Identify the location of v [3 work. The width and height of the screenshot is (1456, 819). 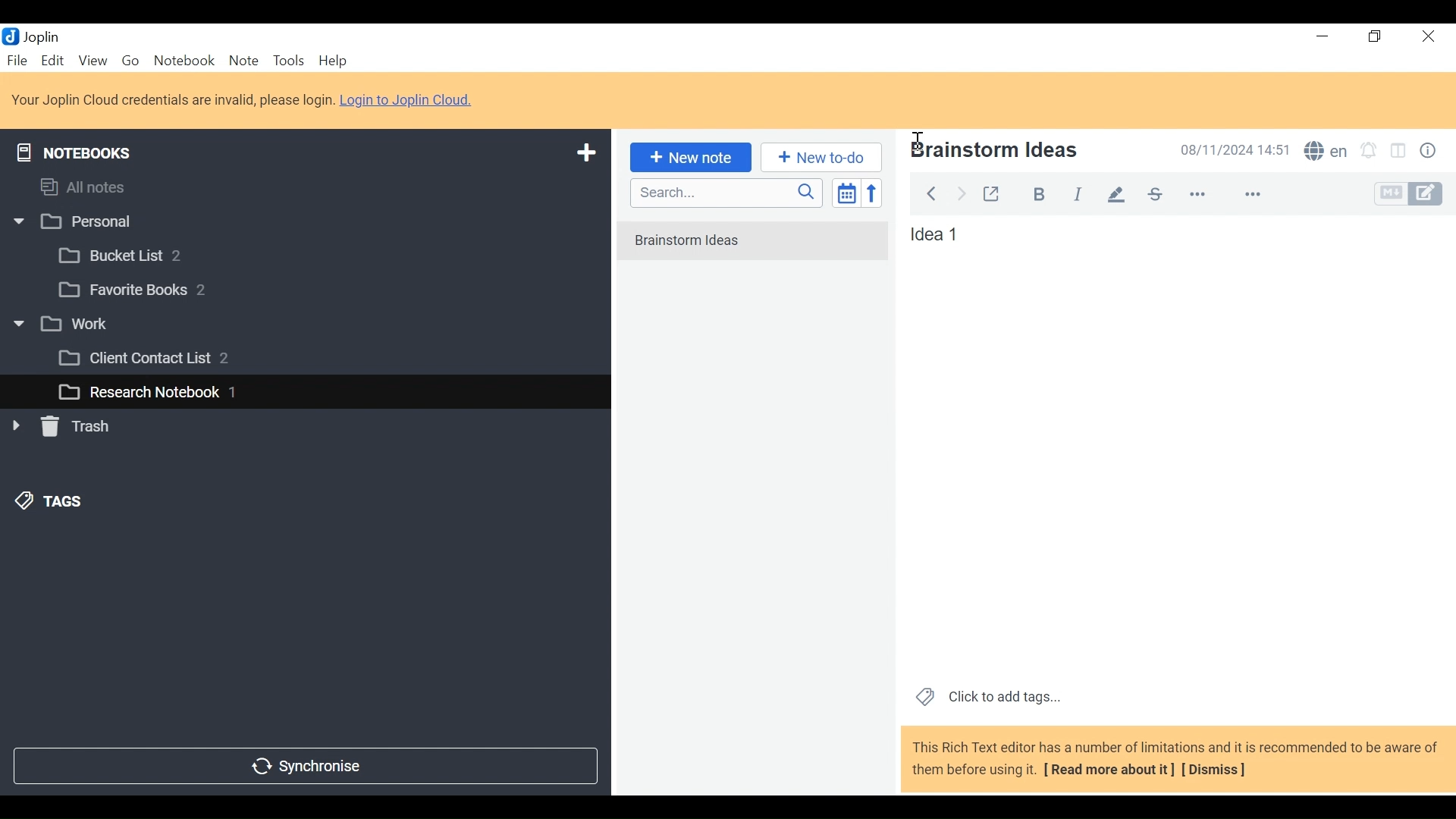
(78, 325).